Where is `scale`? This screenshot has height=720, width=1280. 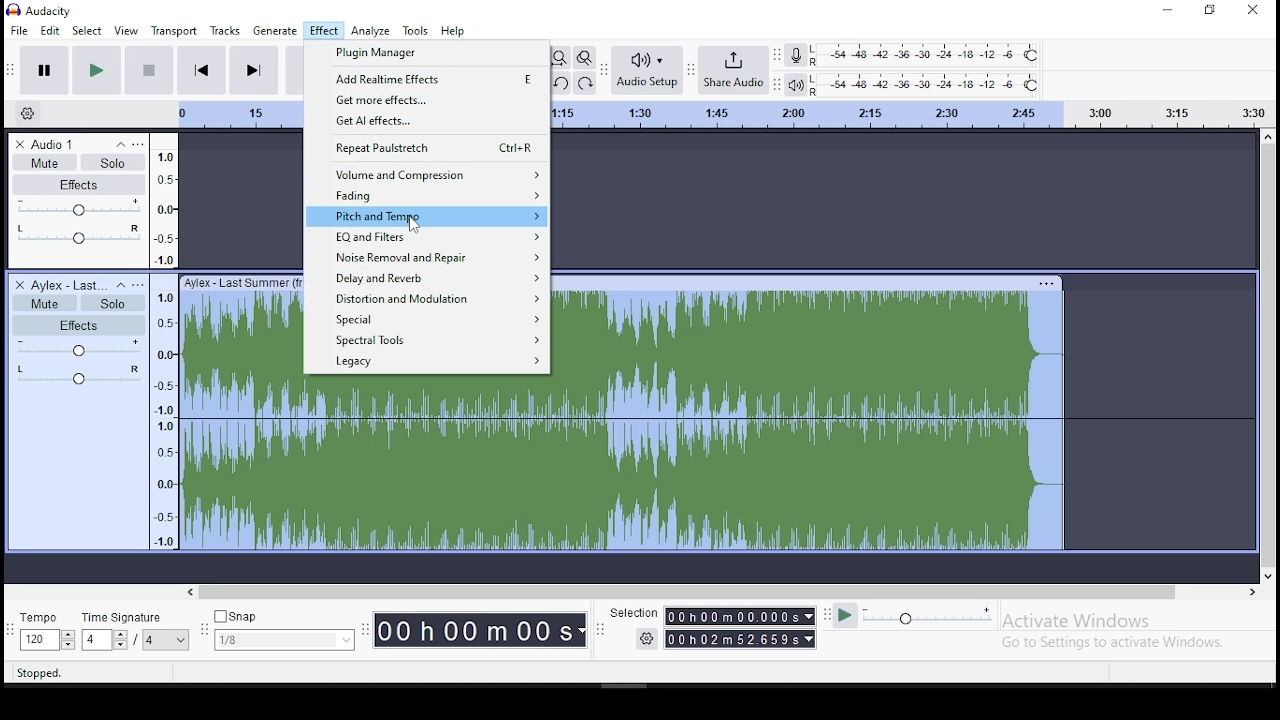
scale is located at coordinates (164, 341).